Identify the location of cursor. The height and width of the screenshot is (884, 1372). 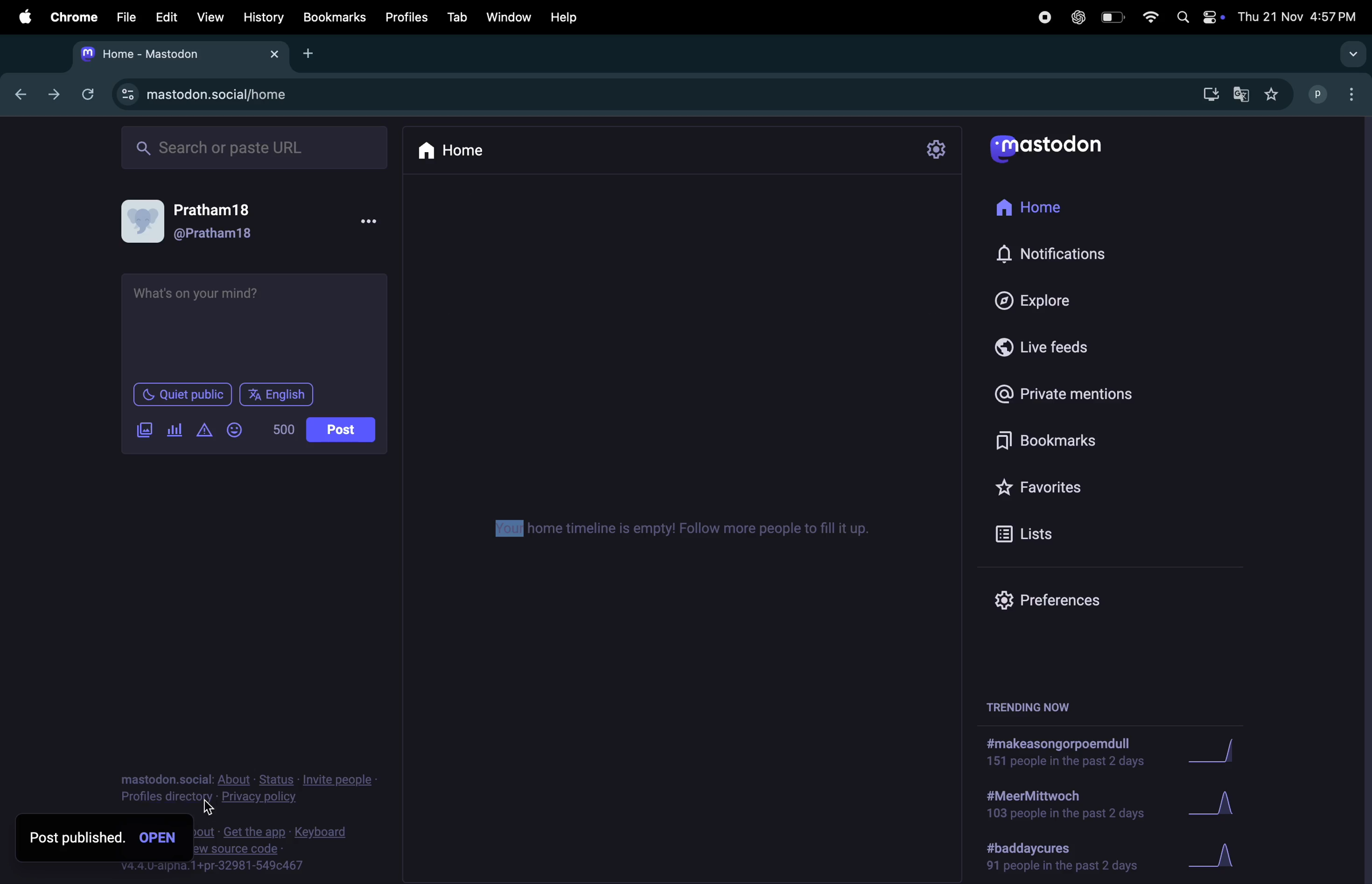
(209, 807).